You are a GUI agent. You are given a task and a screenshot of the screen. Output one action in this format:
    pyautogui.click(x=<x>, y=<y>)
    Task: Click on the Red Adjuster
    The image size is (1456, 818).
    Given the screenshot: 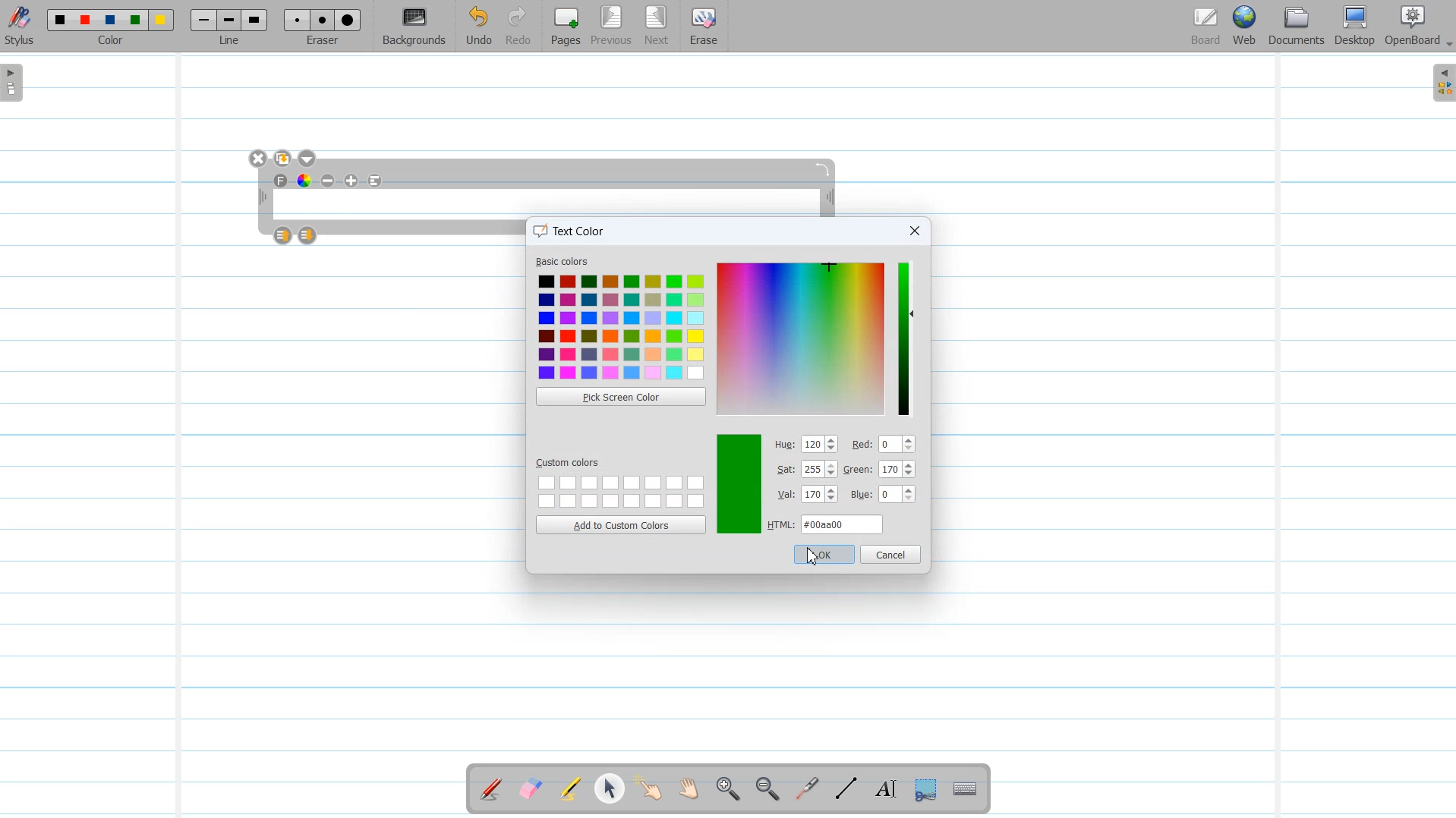 What is the action you would take?
    pyautogui.click(x=884, y=445)
    